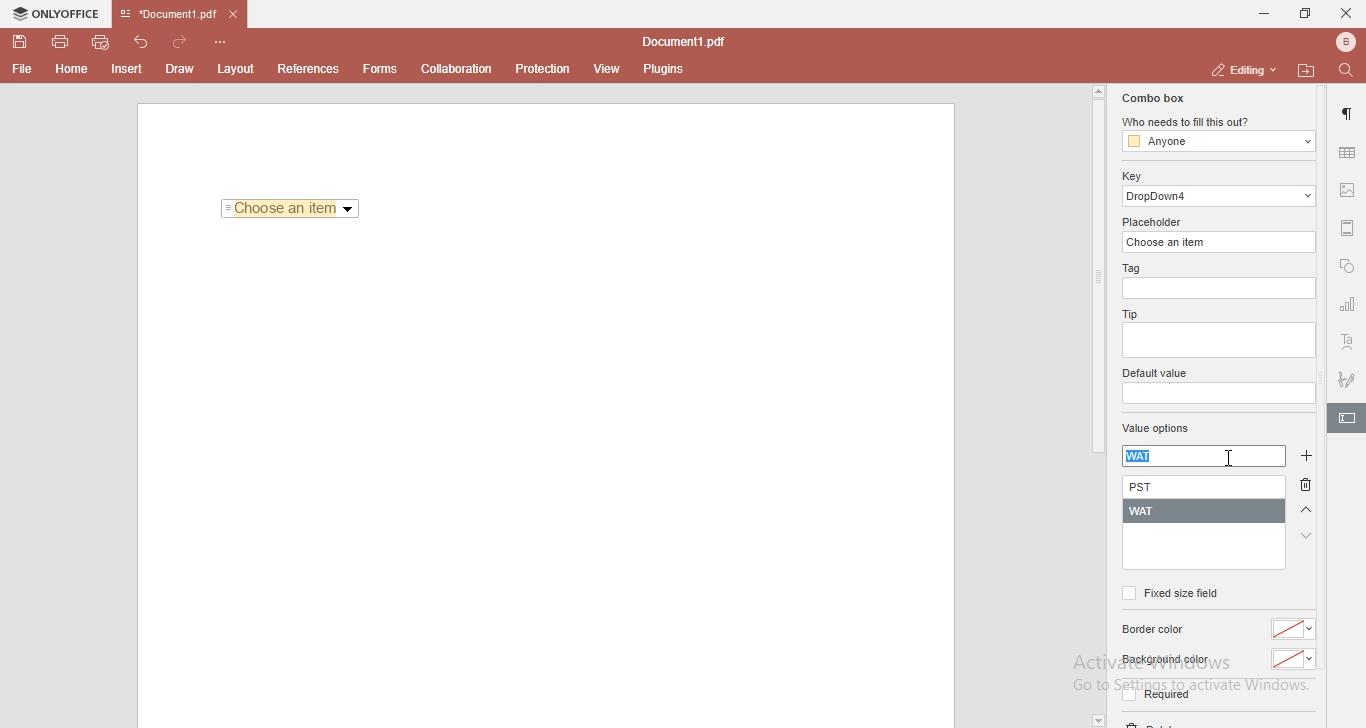 The height and width of the screenshot is (728, 1366). What do you see at coordinates (1155, 222) in the screenshot?
I see `placeholder` at bounding box center [1155, 222].